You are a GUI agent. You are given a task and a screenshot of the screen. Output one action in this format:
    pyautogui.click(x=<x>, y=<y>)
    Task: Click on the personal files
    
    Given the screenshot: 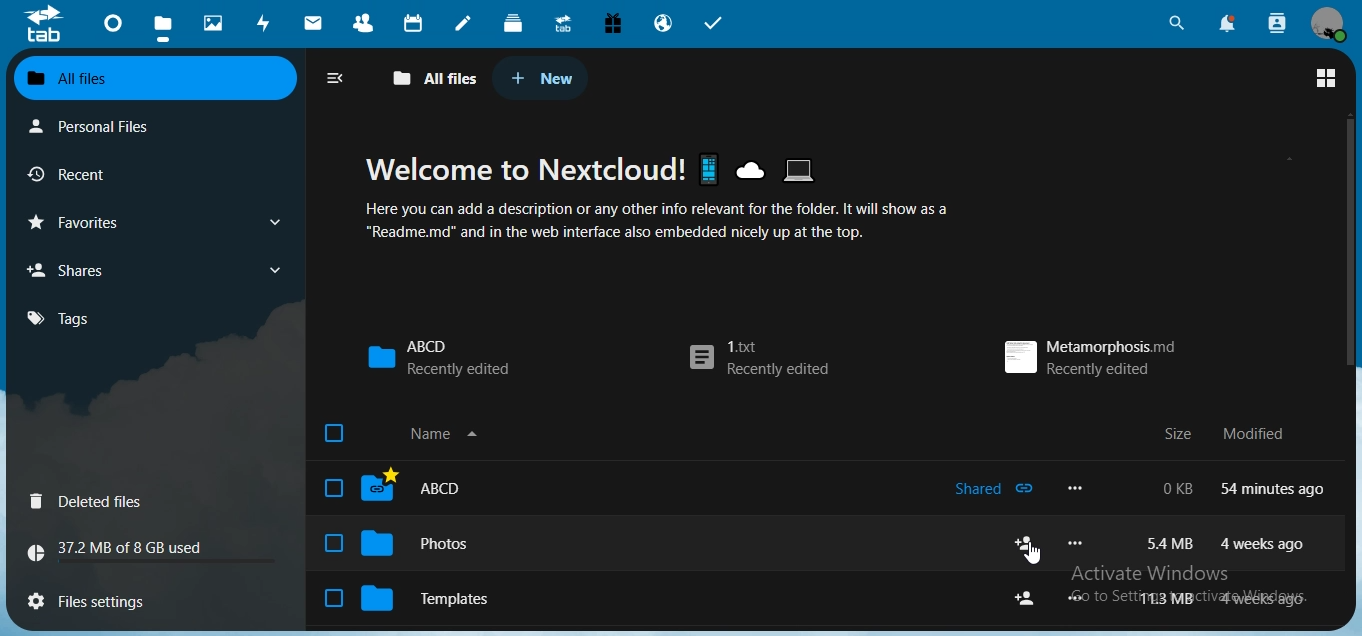 What is the action you would take?
    pyautogui.click(x=106, y=125)
    